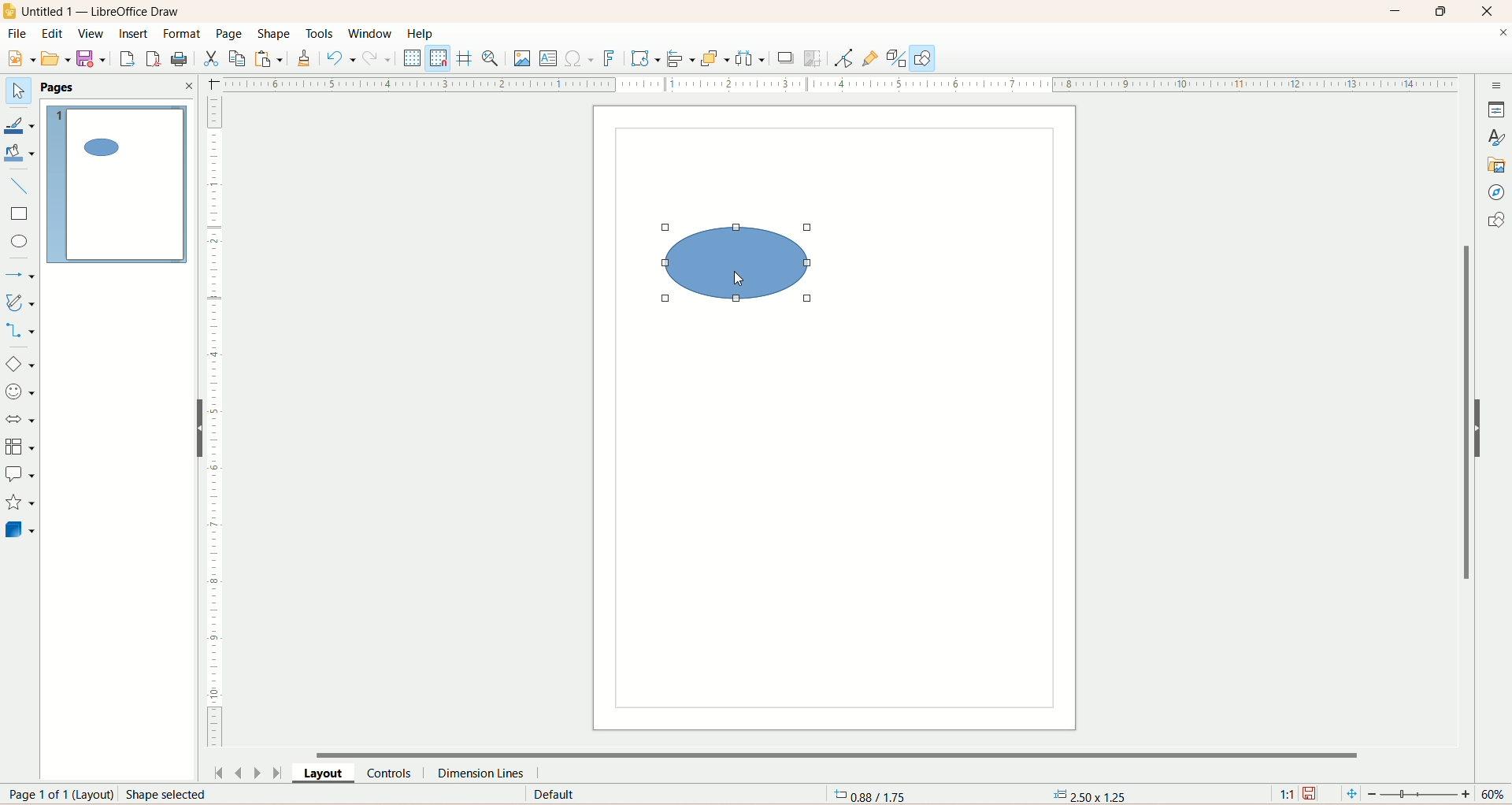 Image resolution: width=1512 pixels, height=805 pixels. I want to click on zoom and pan, so click(494, 61).